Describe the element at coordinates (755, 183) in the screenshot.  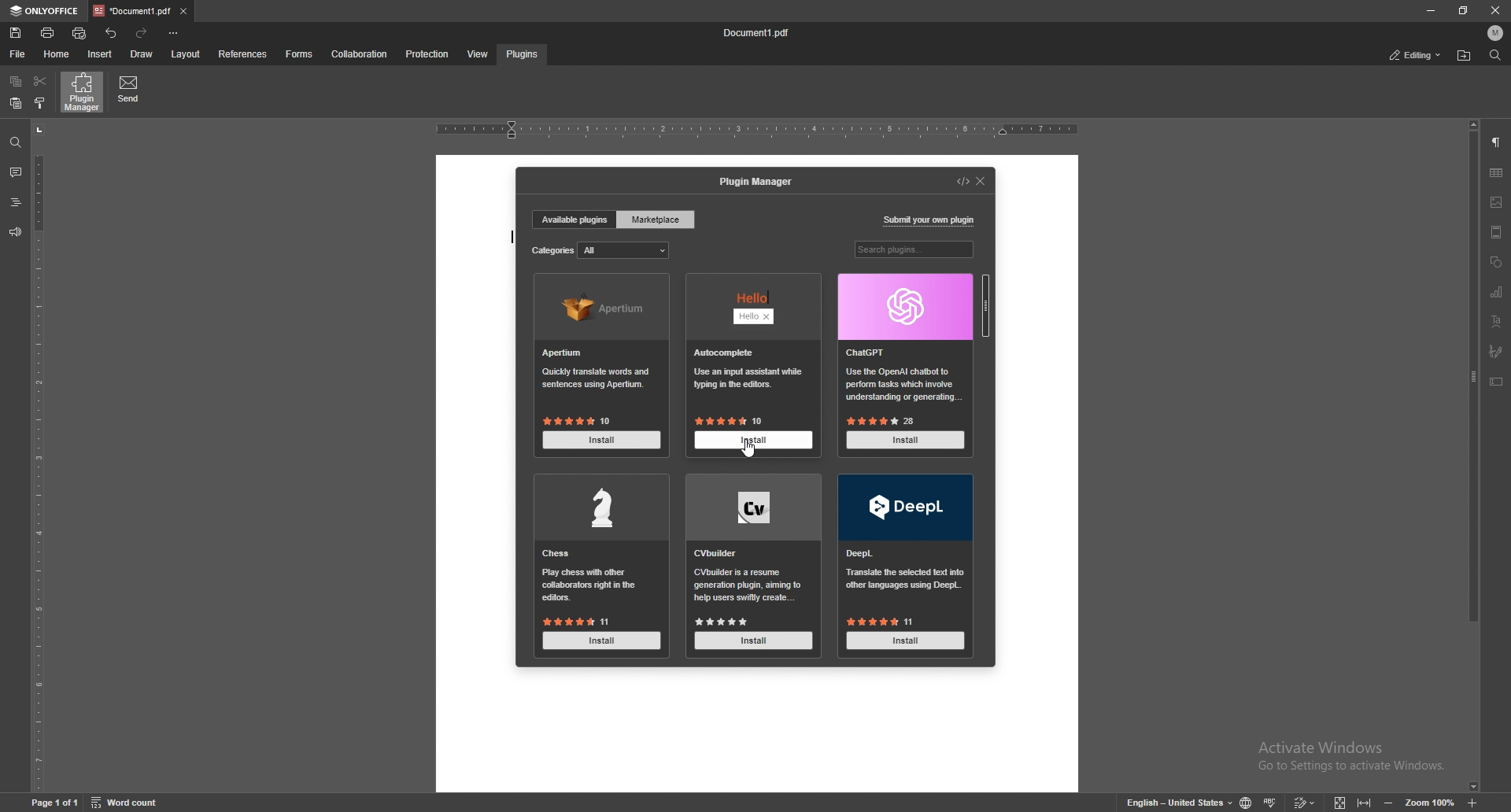
I see `plugin manager` at that location.